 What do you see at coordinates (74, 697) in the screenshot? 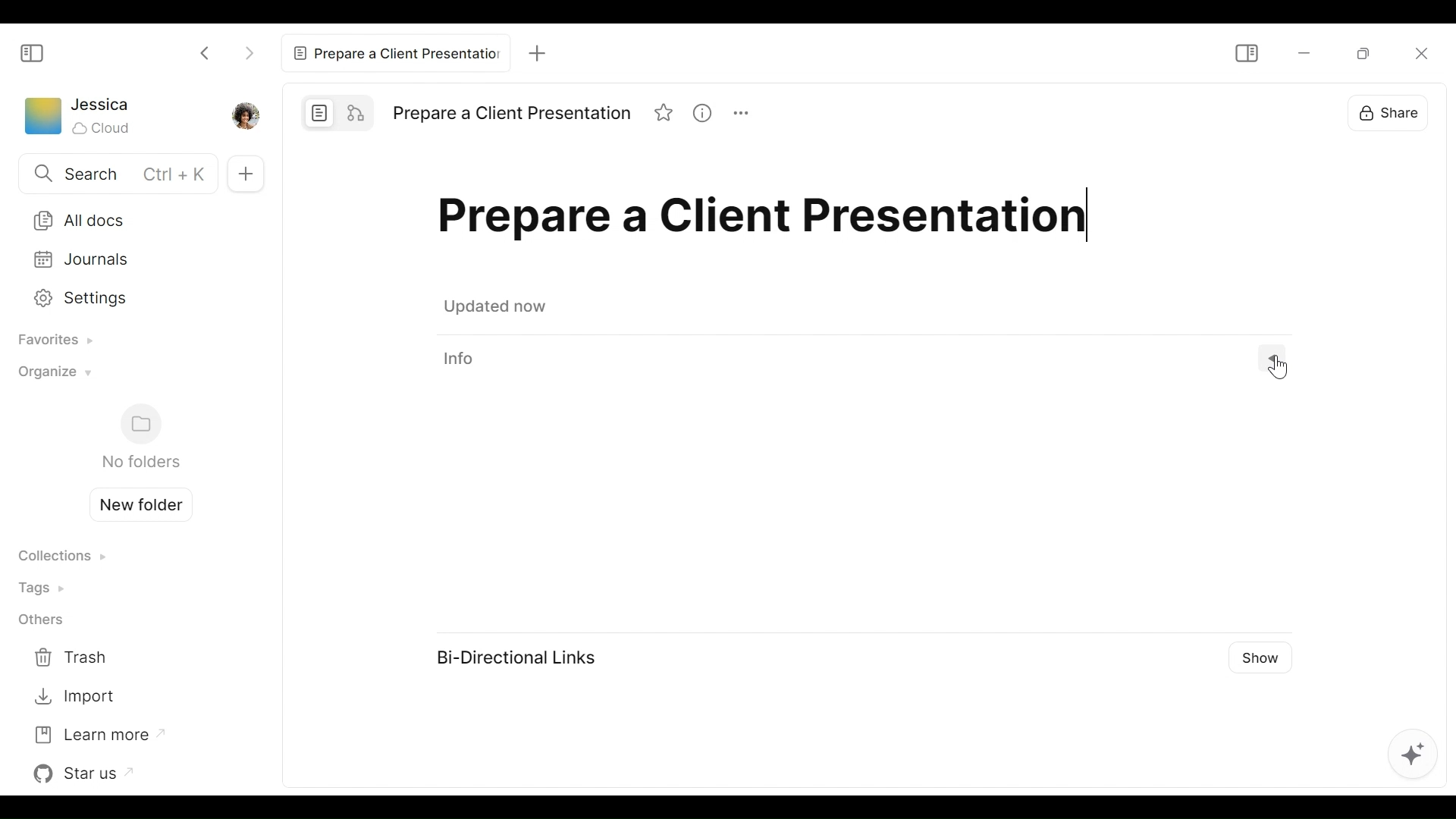
I see `Import` at bounding box center [74, 697].